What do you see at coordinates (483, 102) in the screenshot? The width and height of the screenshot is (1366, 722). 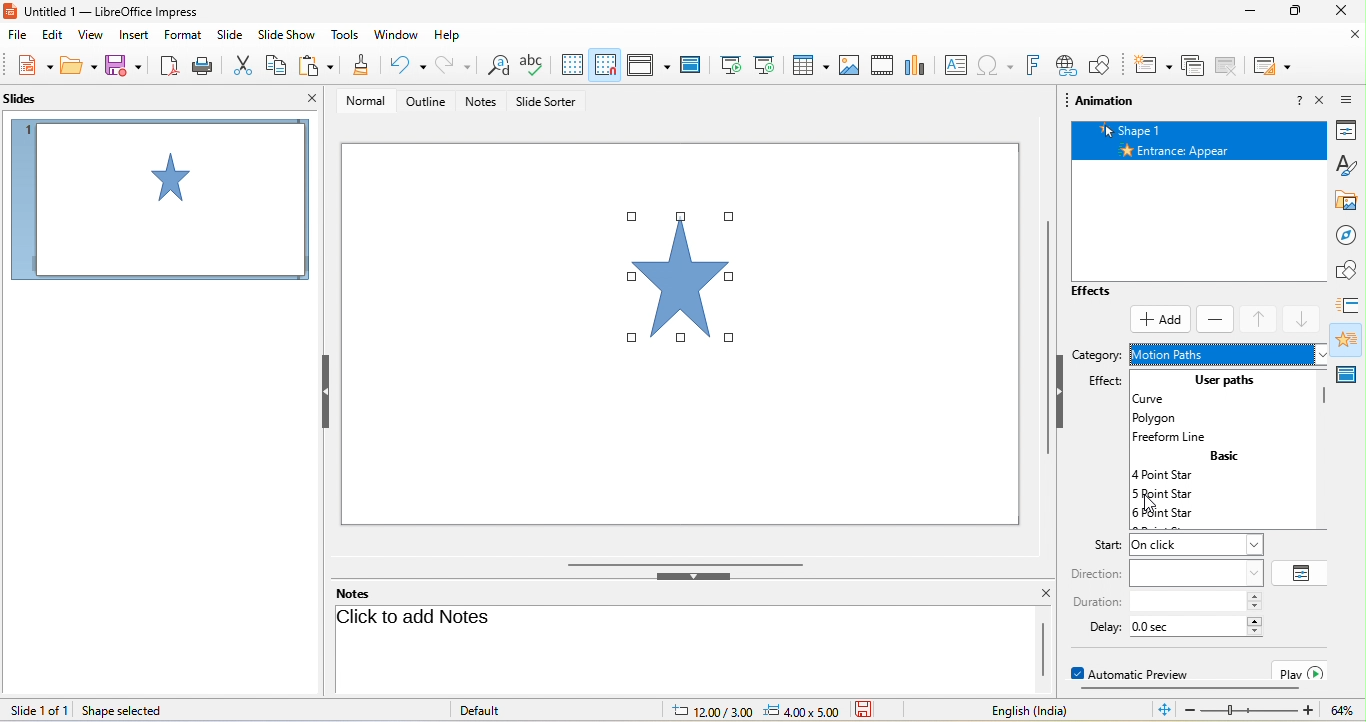 I see `notes` at bounding box center [483, 102].